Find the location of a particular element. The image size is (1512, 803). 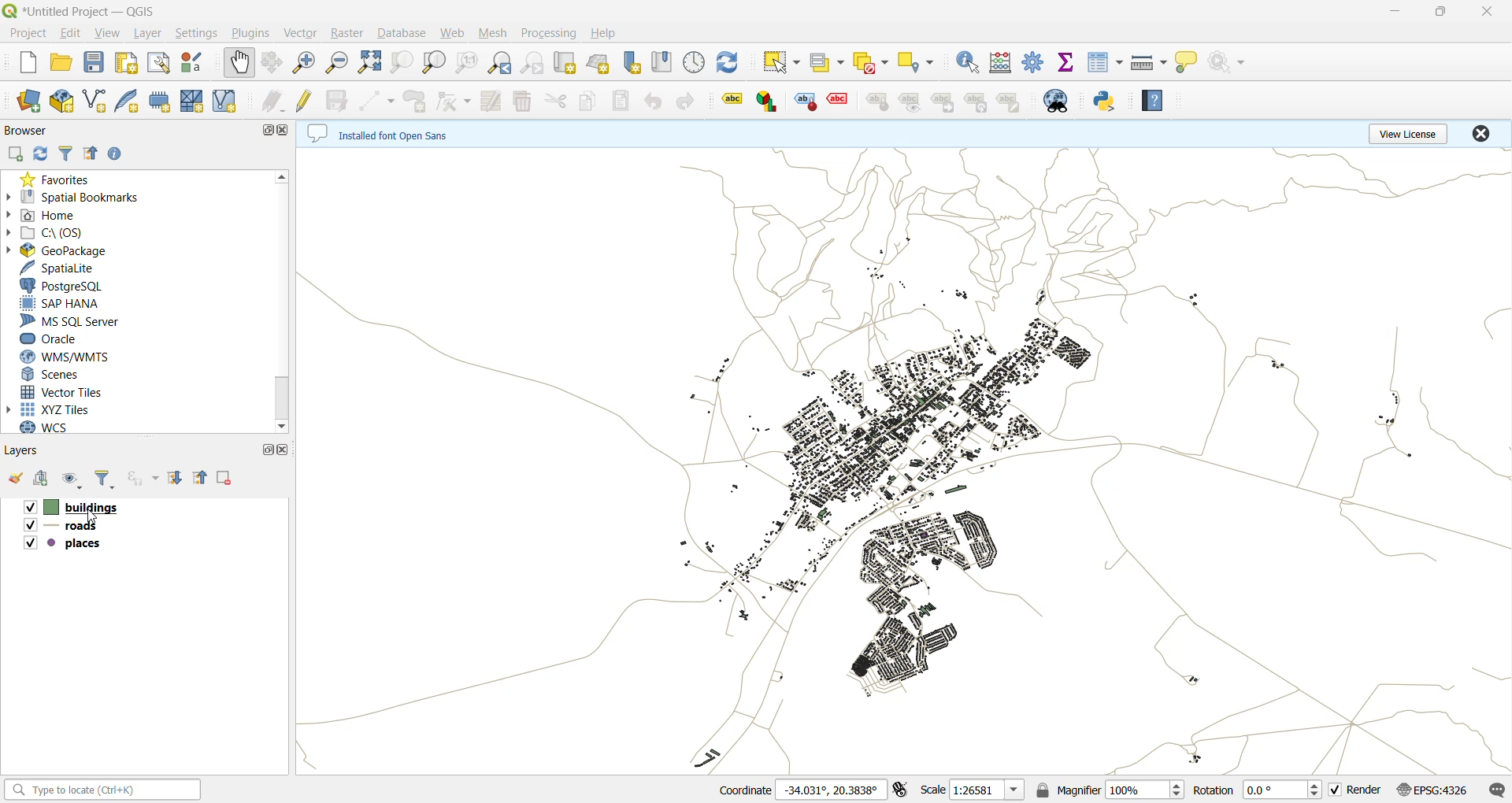

add is located at coordinates (15, 154).